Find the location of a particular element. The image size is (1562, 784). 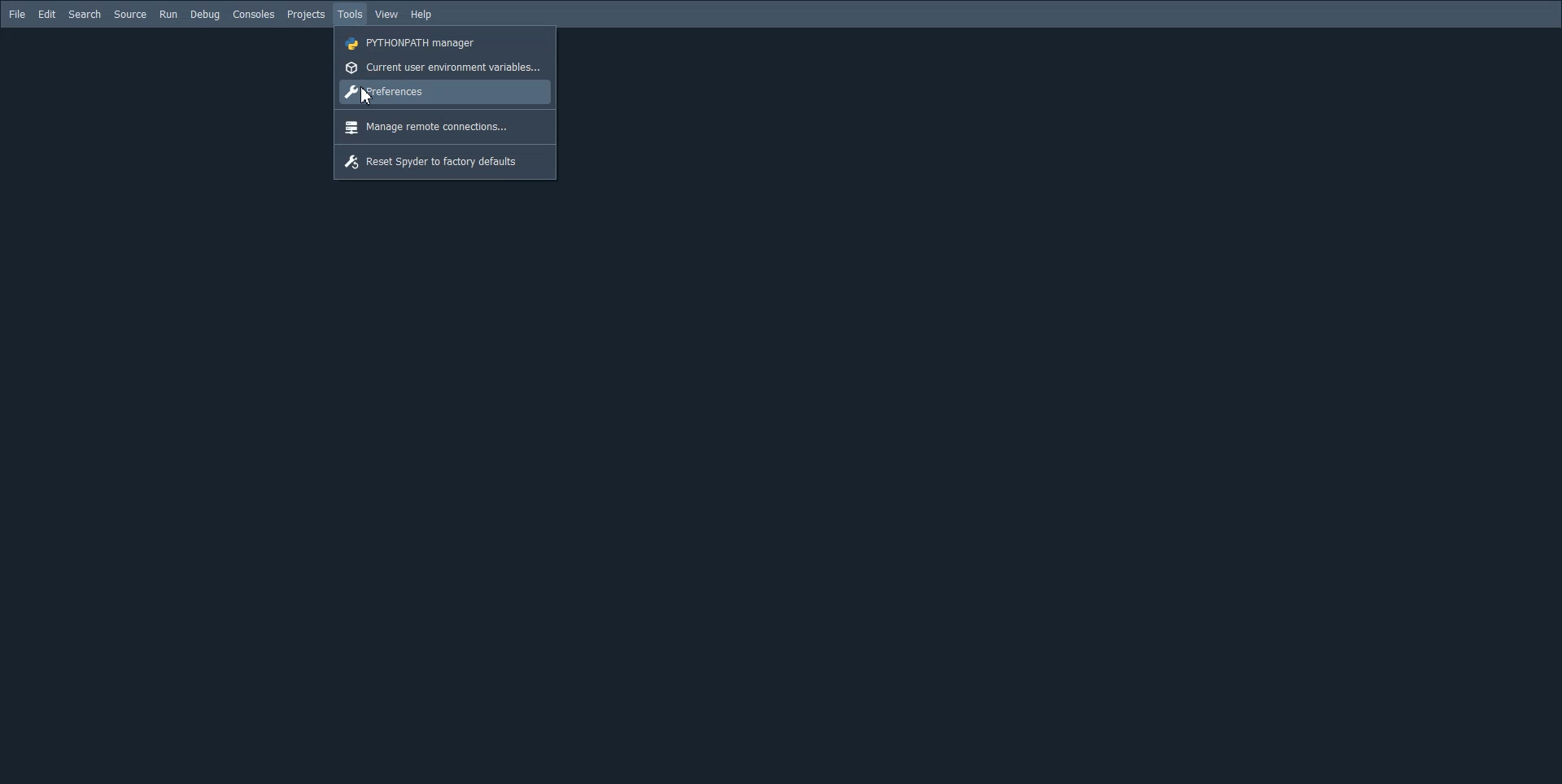

Run is located at coordinates (168, 15).